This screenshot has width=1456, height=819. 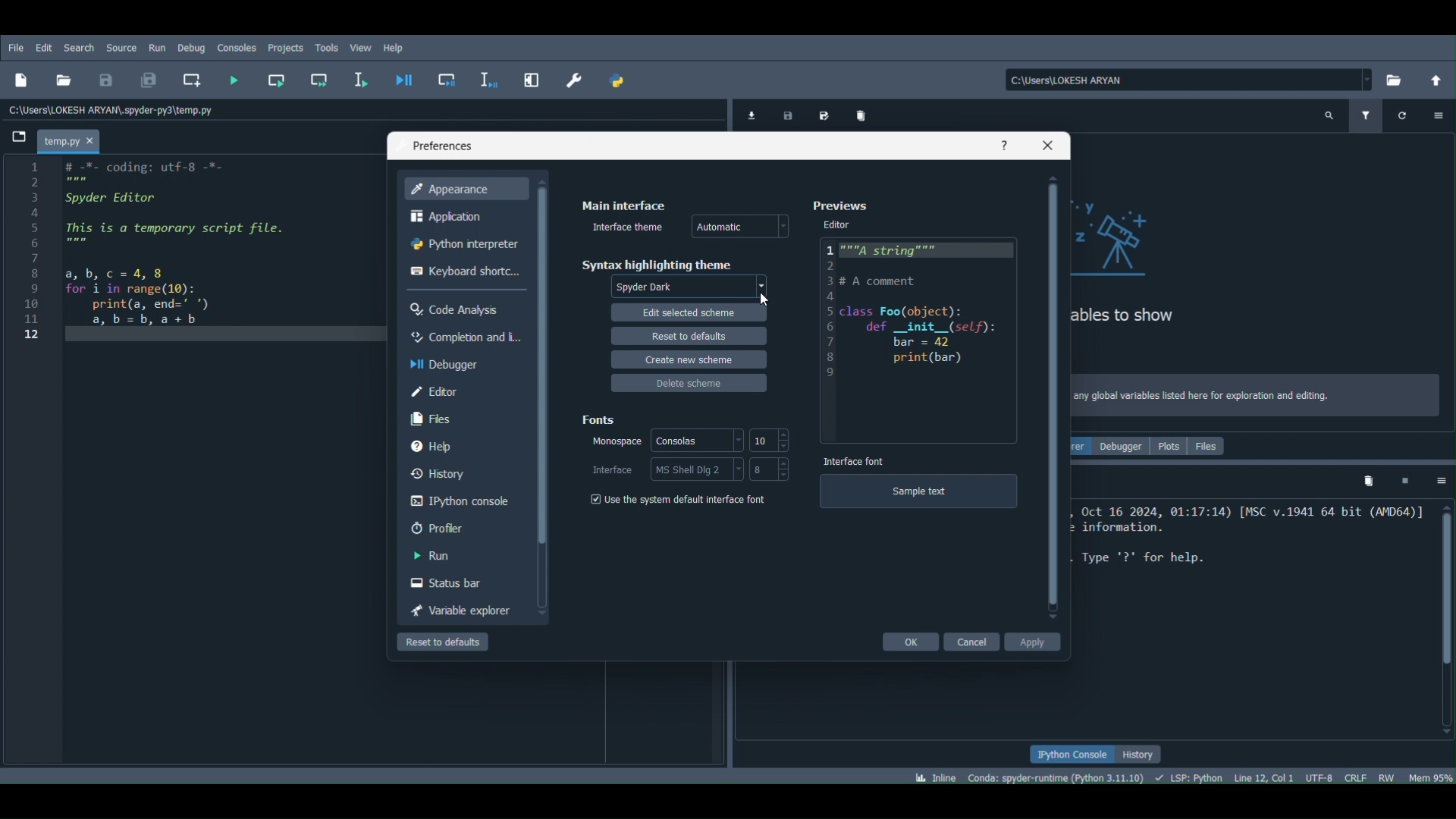 I want to click on Edit selected scheme, so click(x=692, y=311).